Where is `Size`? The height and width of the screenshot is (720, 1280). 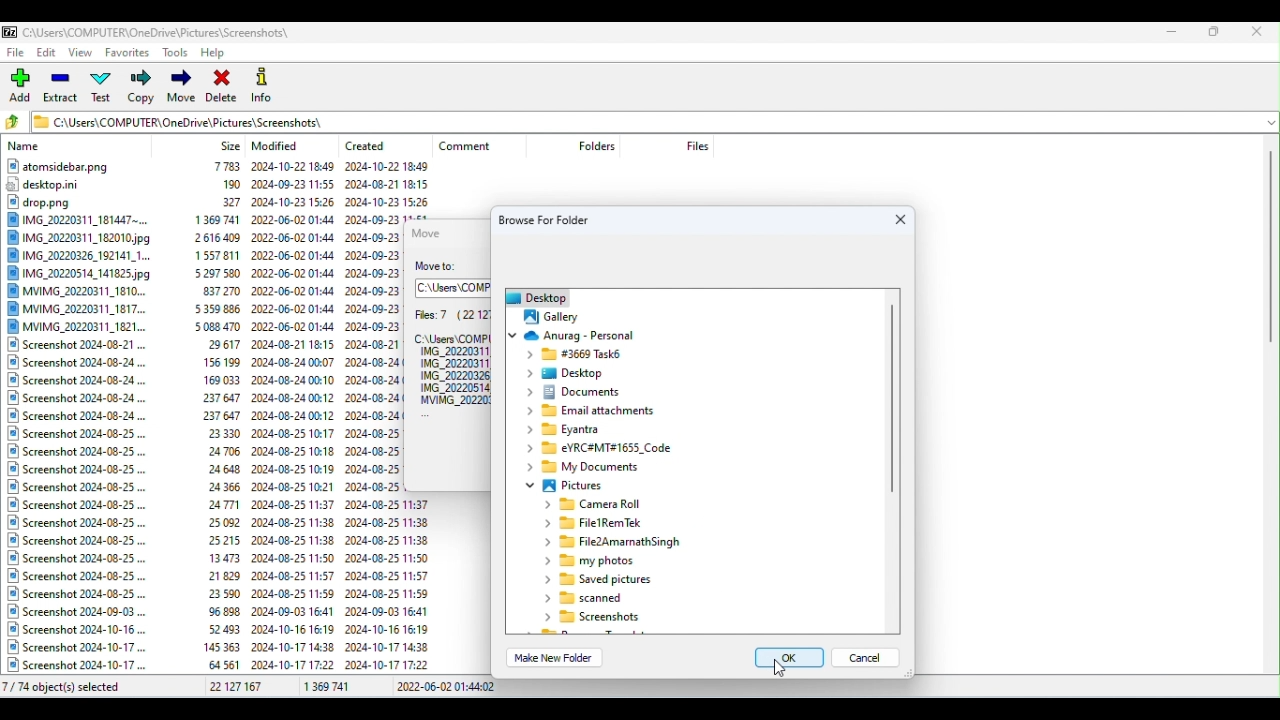
Size is located at coordinates (231, 145).